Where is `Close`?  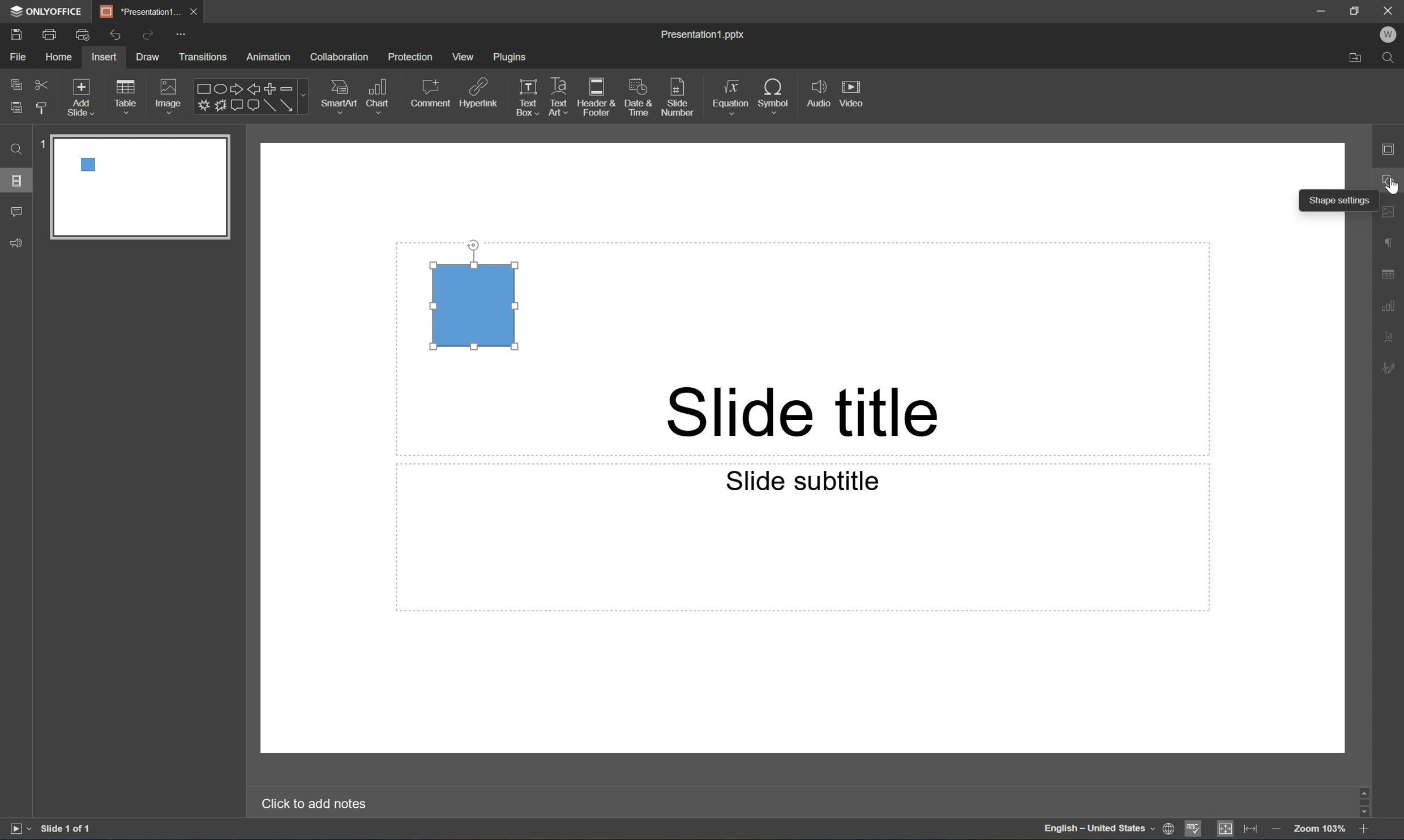 Close is located at coordinates (1392, 10).